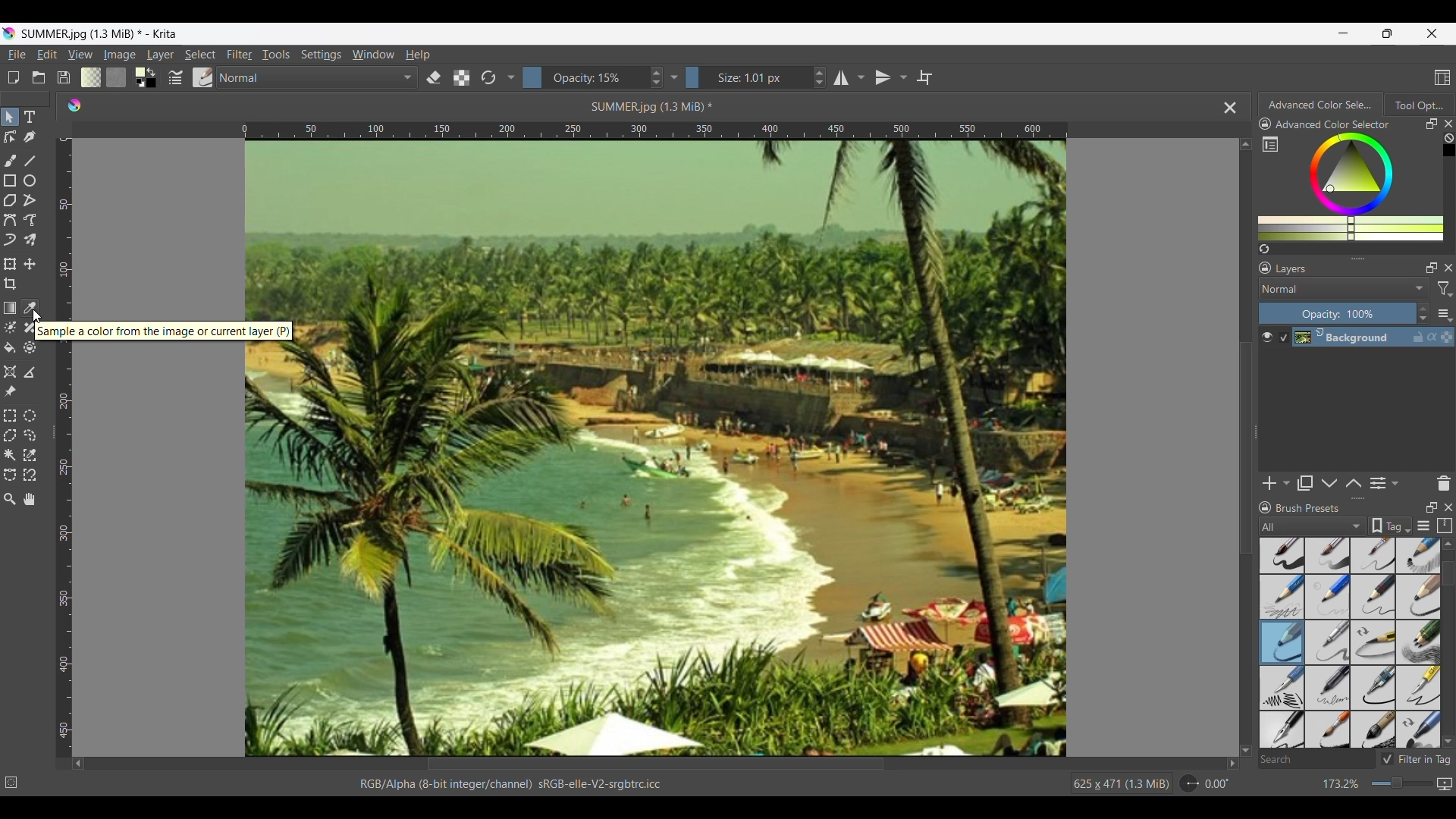 The image size is (1456, 819). Describe the element at coordinates (91, 77) in the screenshot. I see `Fill gradients` at that location.